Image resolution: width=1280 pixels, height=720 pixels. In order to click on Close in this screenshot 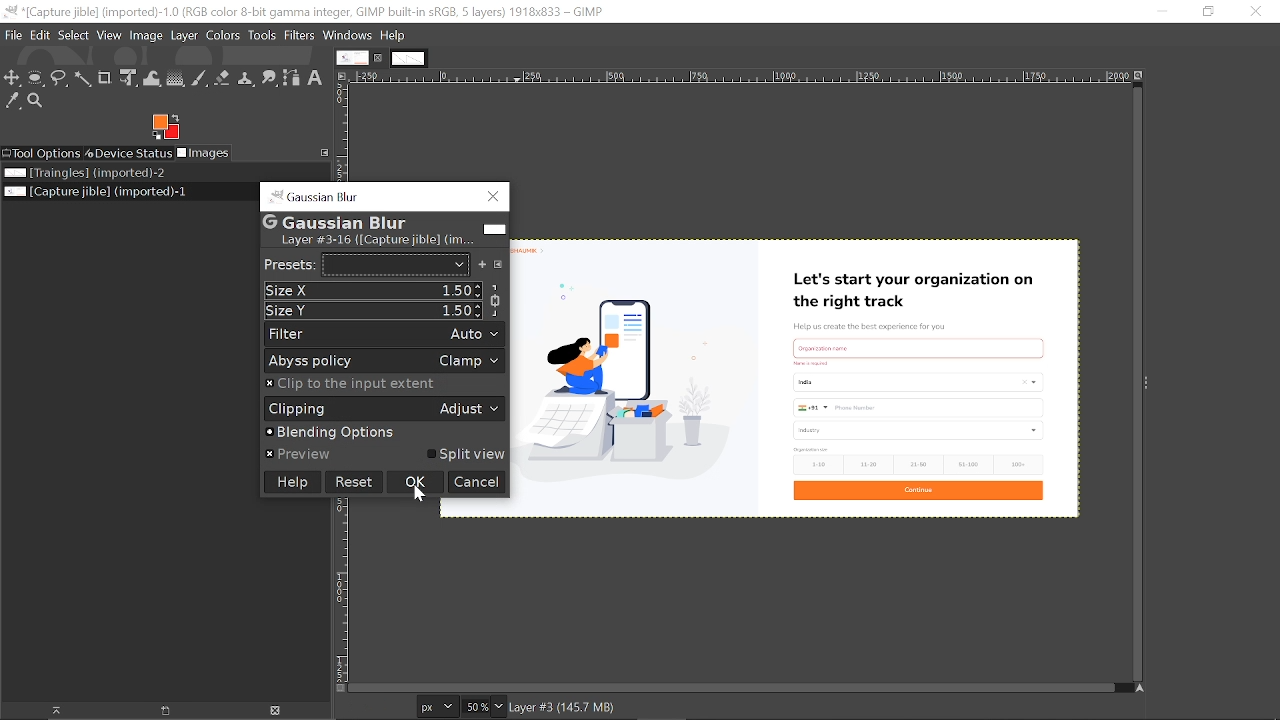, I will do `click(1254, 12)`.